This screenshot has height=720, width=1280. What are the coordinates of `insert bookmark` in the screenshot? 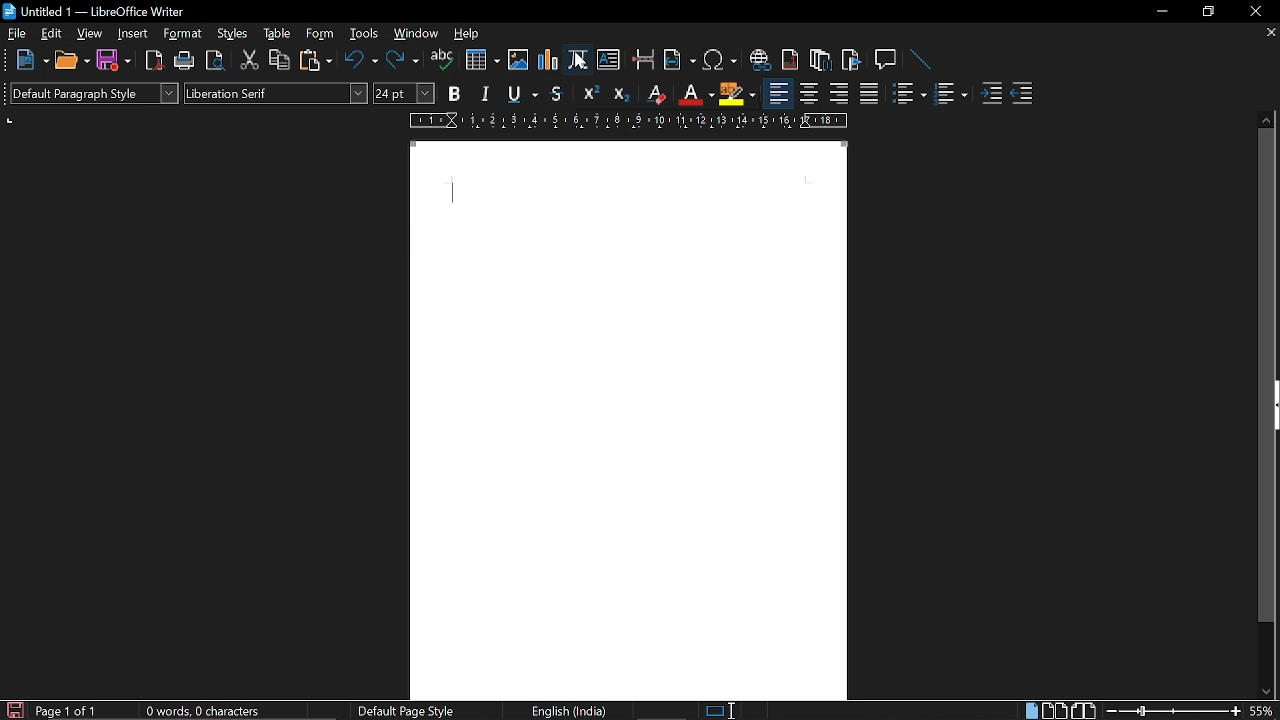 It's located at (851, 61).